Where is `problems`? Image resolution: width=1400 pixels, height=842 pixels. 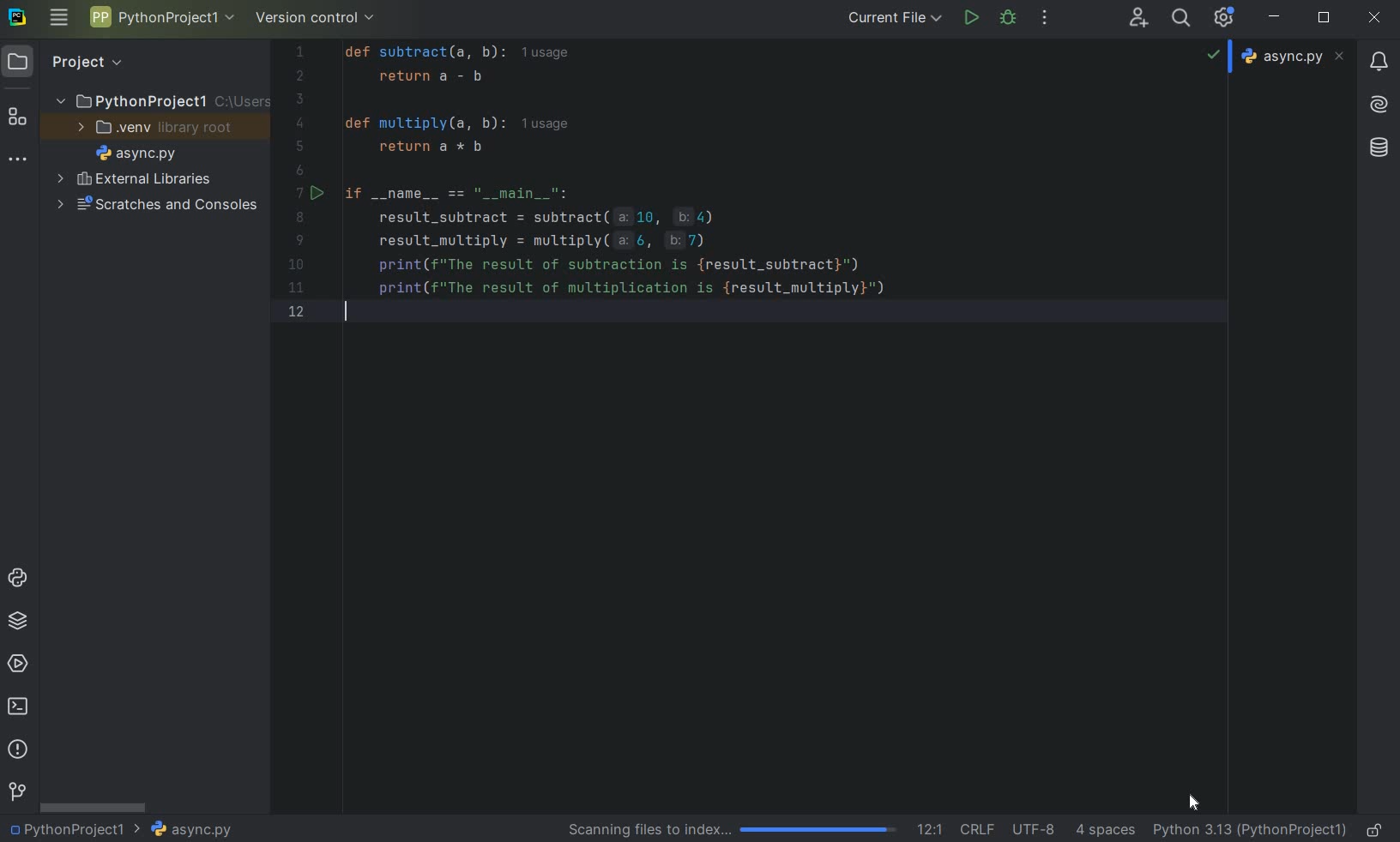
problems is located at coordinates (17, 749).